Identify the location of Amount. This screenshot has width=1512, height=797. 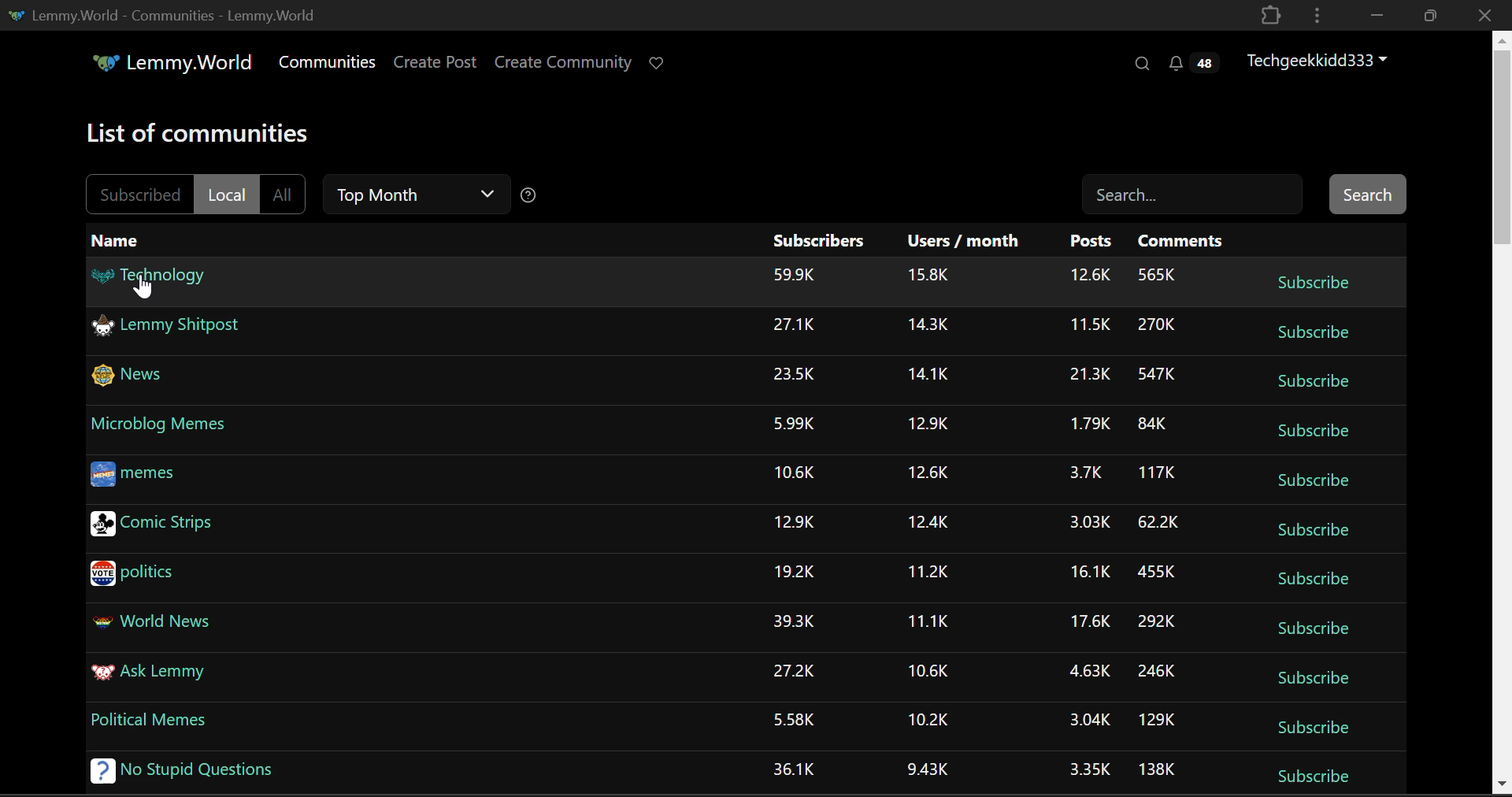
(1088, 324).